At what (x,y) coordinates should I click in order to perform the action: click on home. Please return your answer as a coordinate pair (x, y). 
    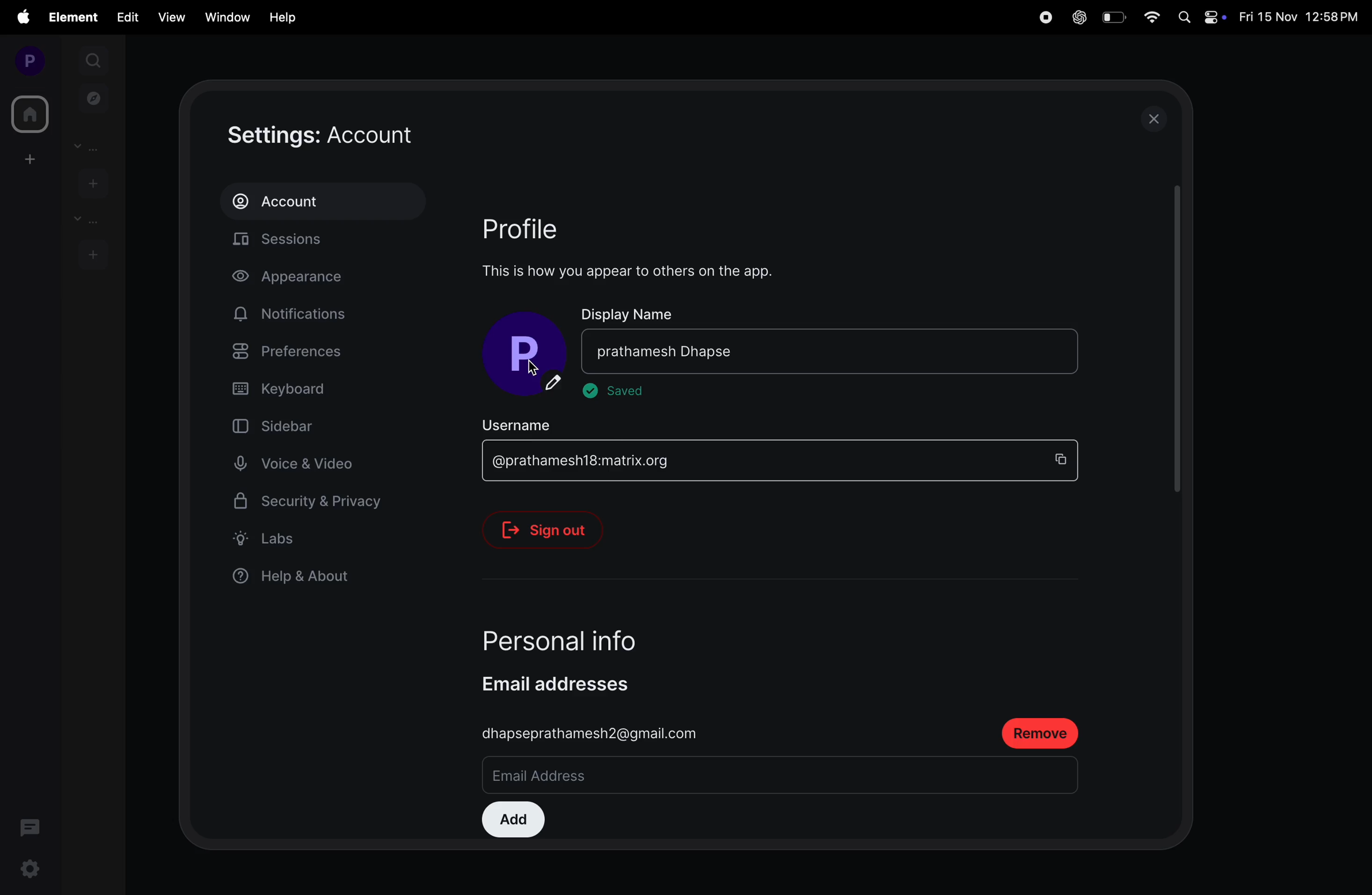
    Looking at the image, I should click on (28, 114).